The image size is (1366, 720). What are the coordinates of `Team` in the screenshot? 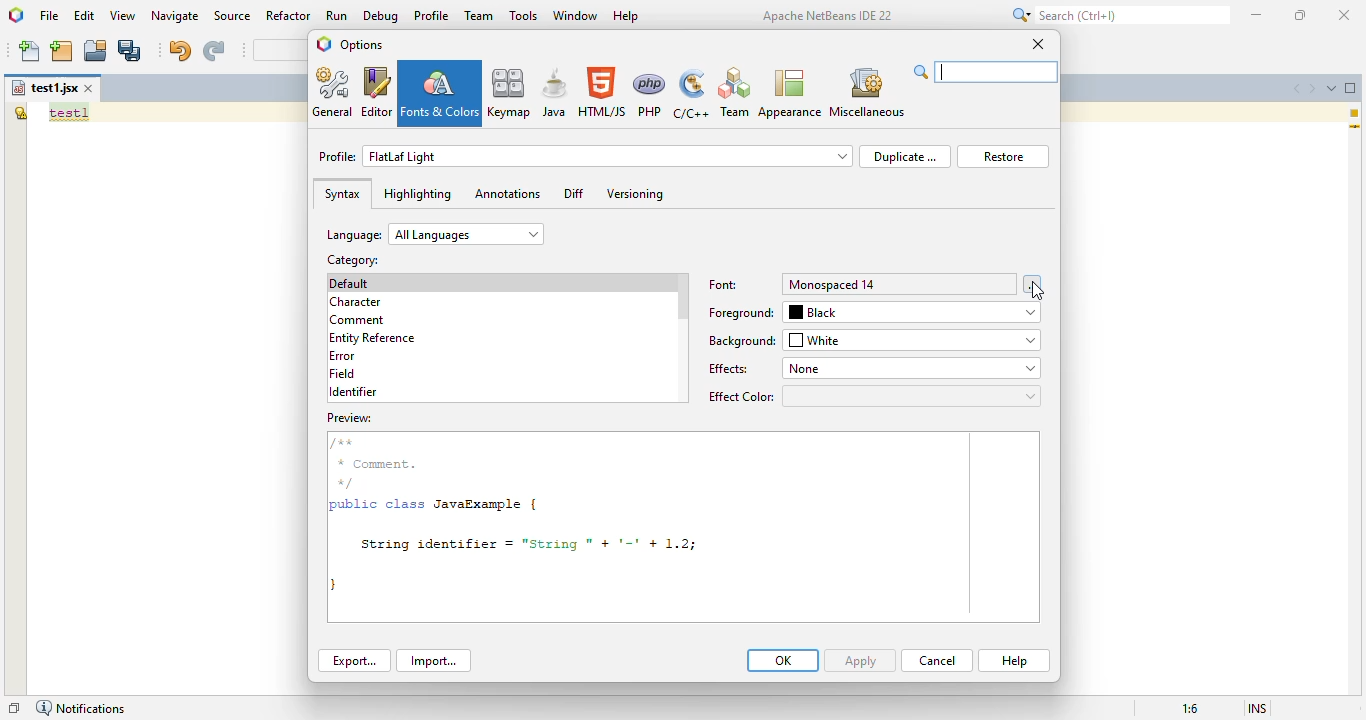 It's located at (734, 93).